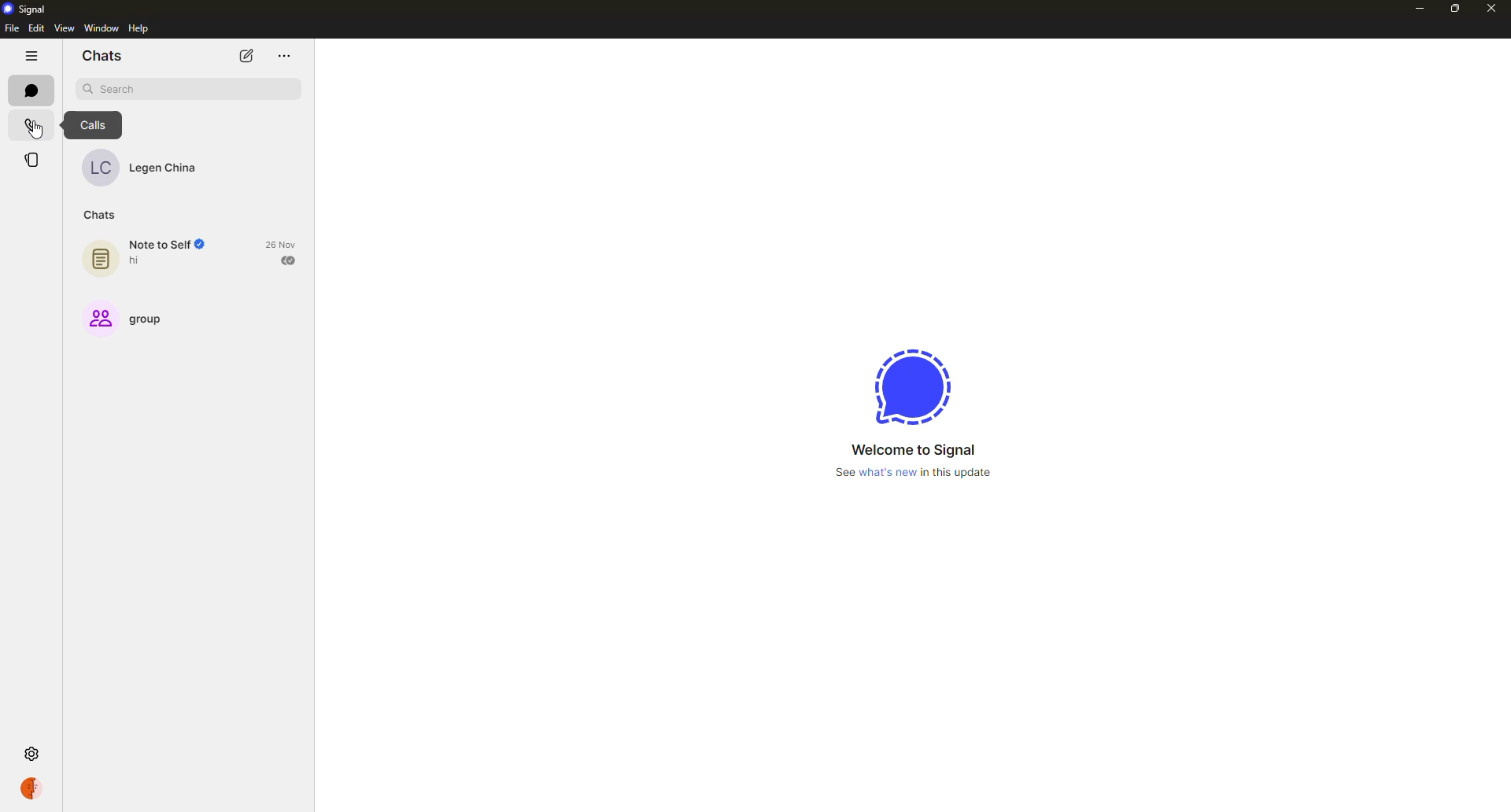 The width and height of the screenshot is (1511, 812). Describe the element at coordinates (35, 28) in the screenshot. I see `edit` at that location.